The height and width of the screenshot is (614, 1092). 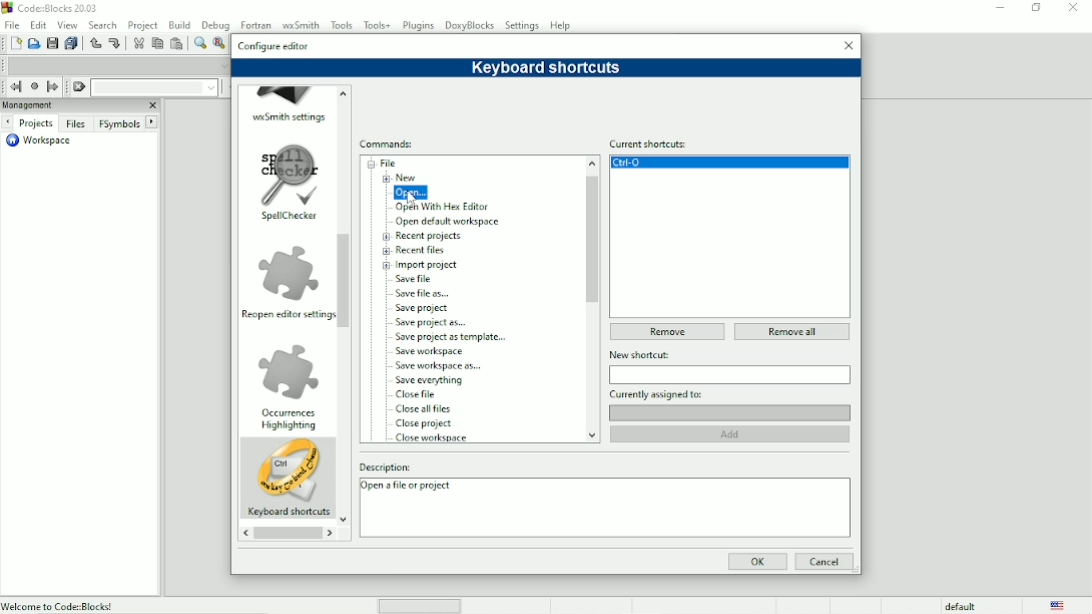 I want to click on Close file, so click(x=421, y=394).